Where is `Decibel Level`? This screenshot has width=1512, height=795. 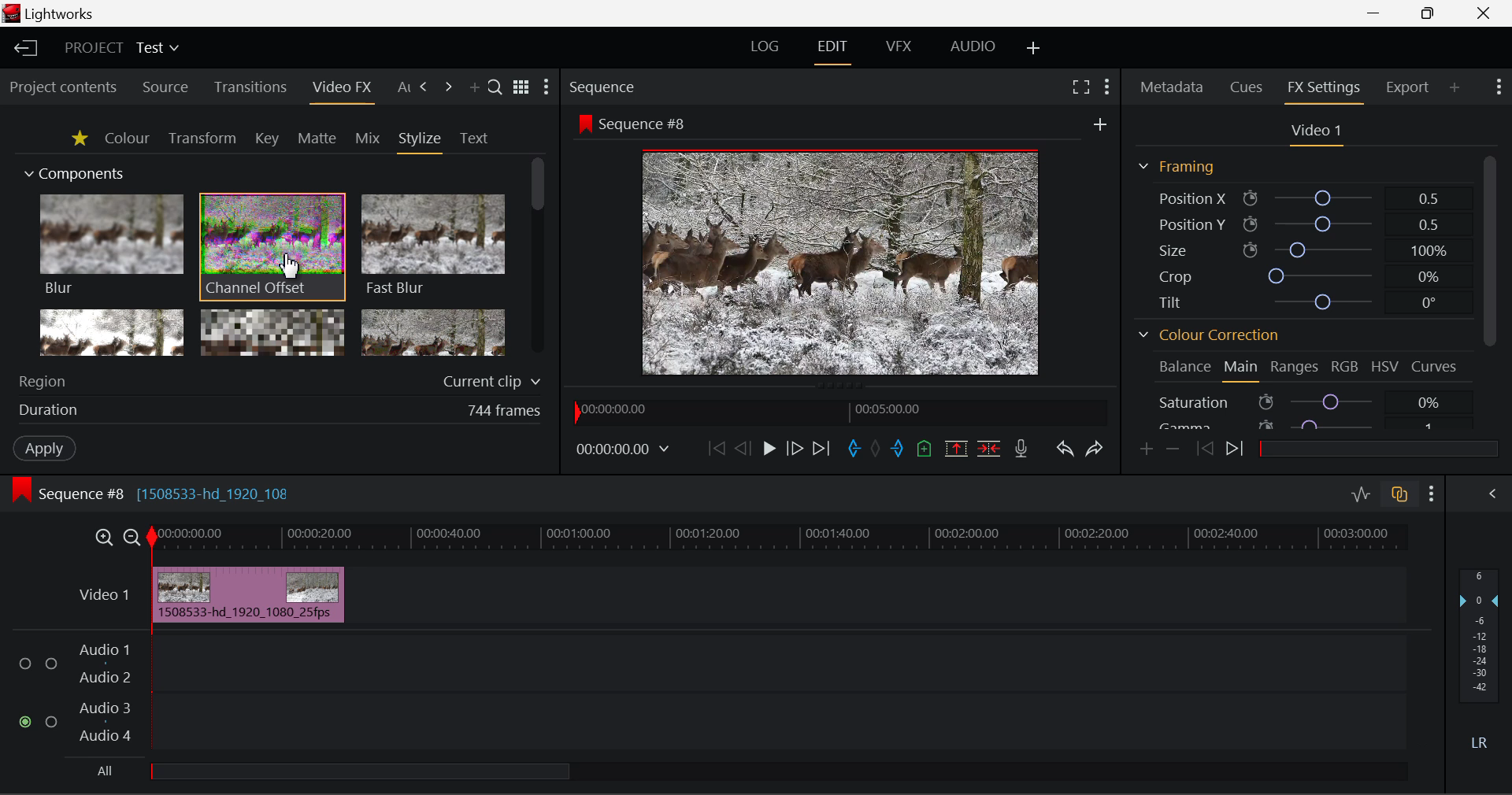
Decibel Level is located at coordinates (1480, 657).